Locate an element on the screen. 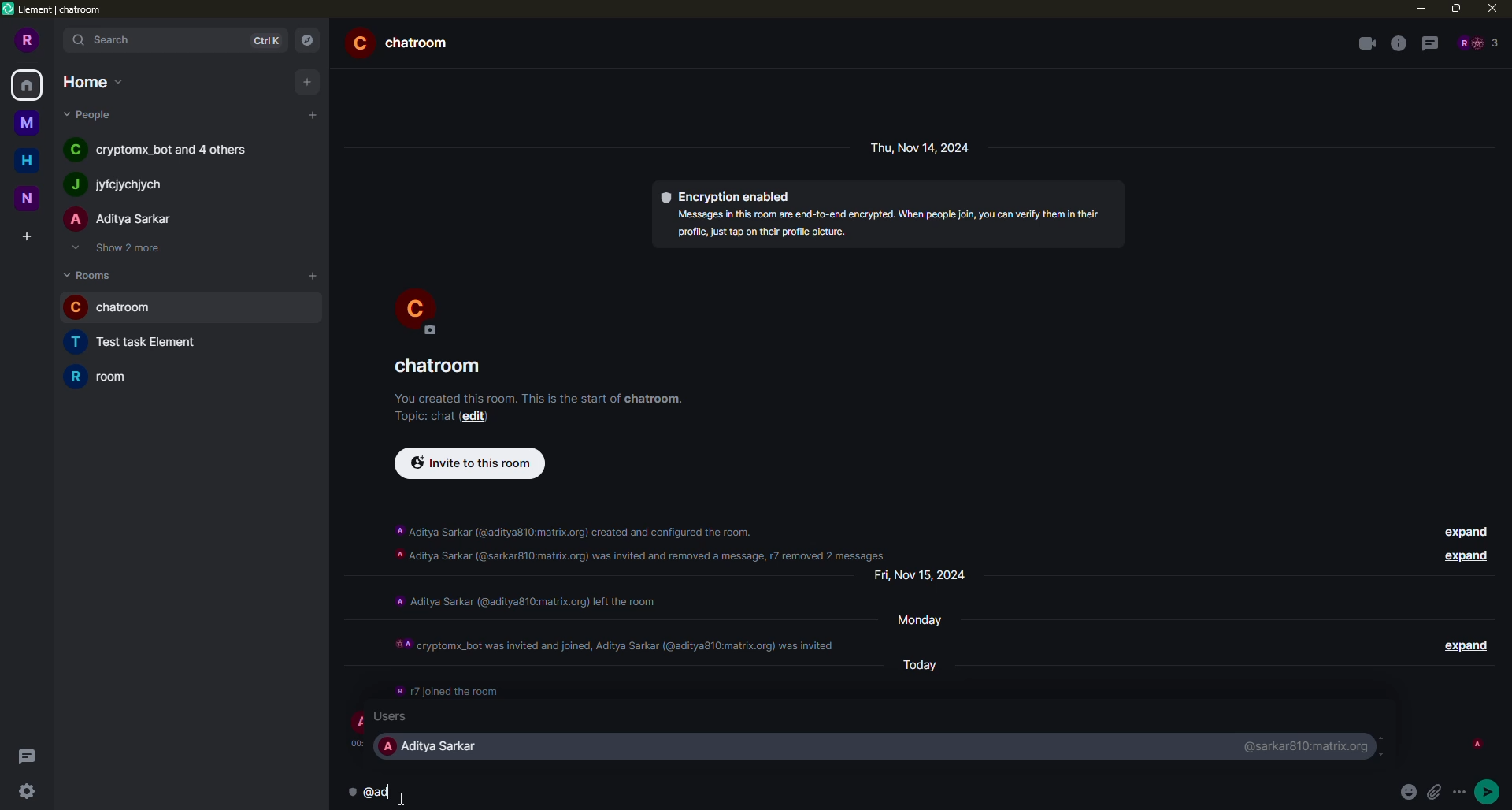 This screenshot has width=1512, height=810. more is located at coordinates (1463, 793).